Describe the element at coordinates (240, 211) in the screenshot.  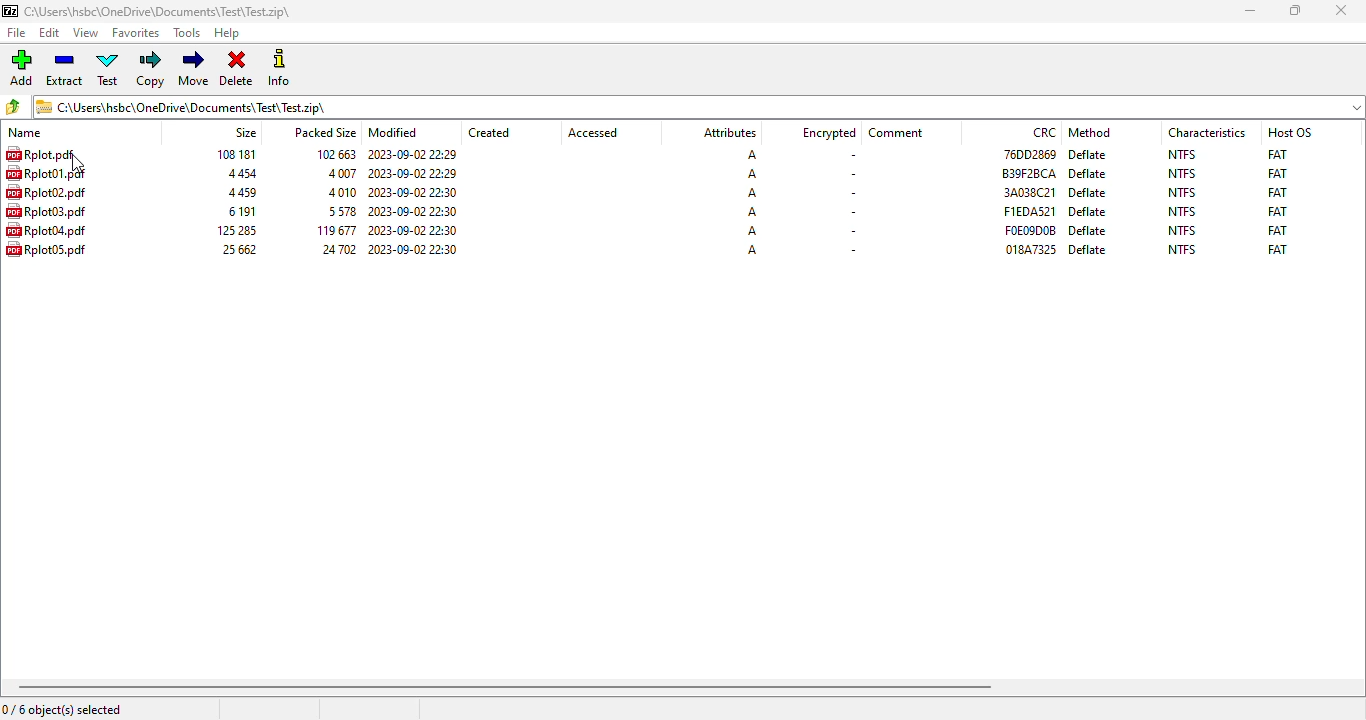
I see `size` at that location.